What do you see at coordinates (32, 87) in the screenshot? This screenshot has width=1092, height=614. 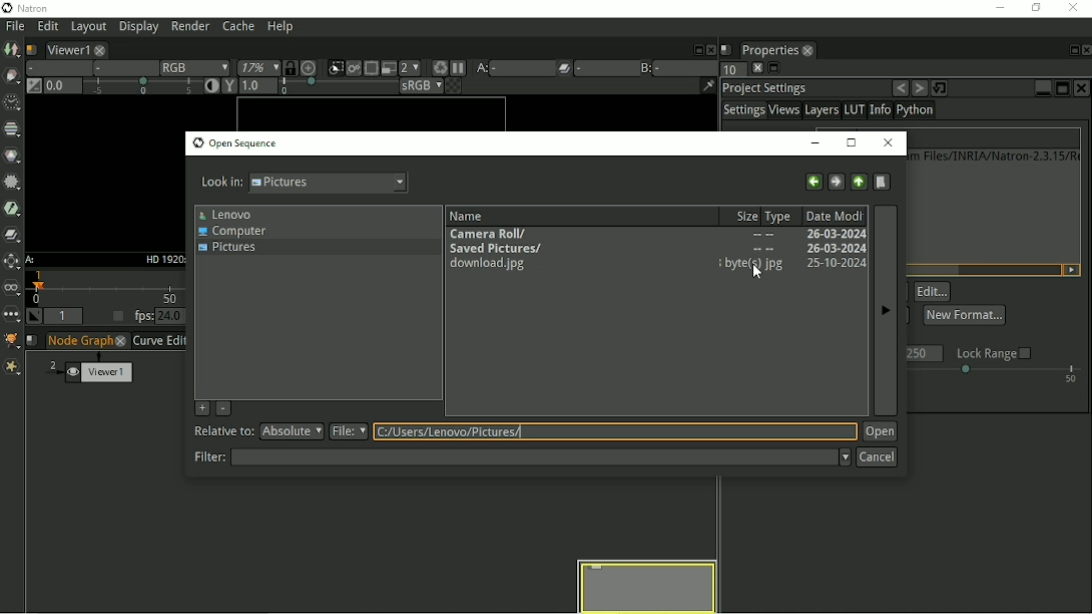 I see `Switch between neutral 1.0 gain f stop and the previous setting` at bounding box center [32, 87].